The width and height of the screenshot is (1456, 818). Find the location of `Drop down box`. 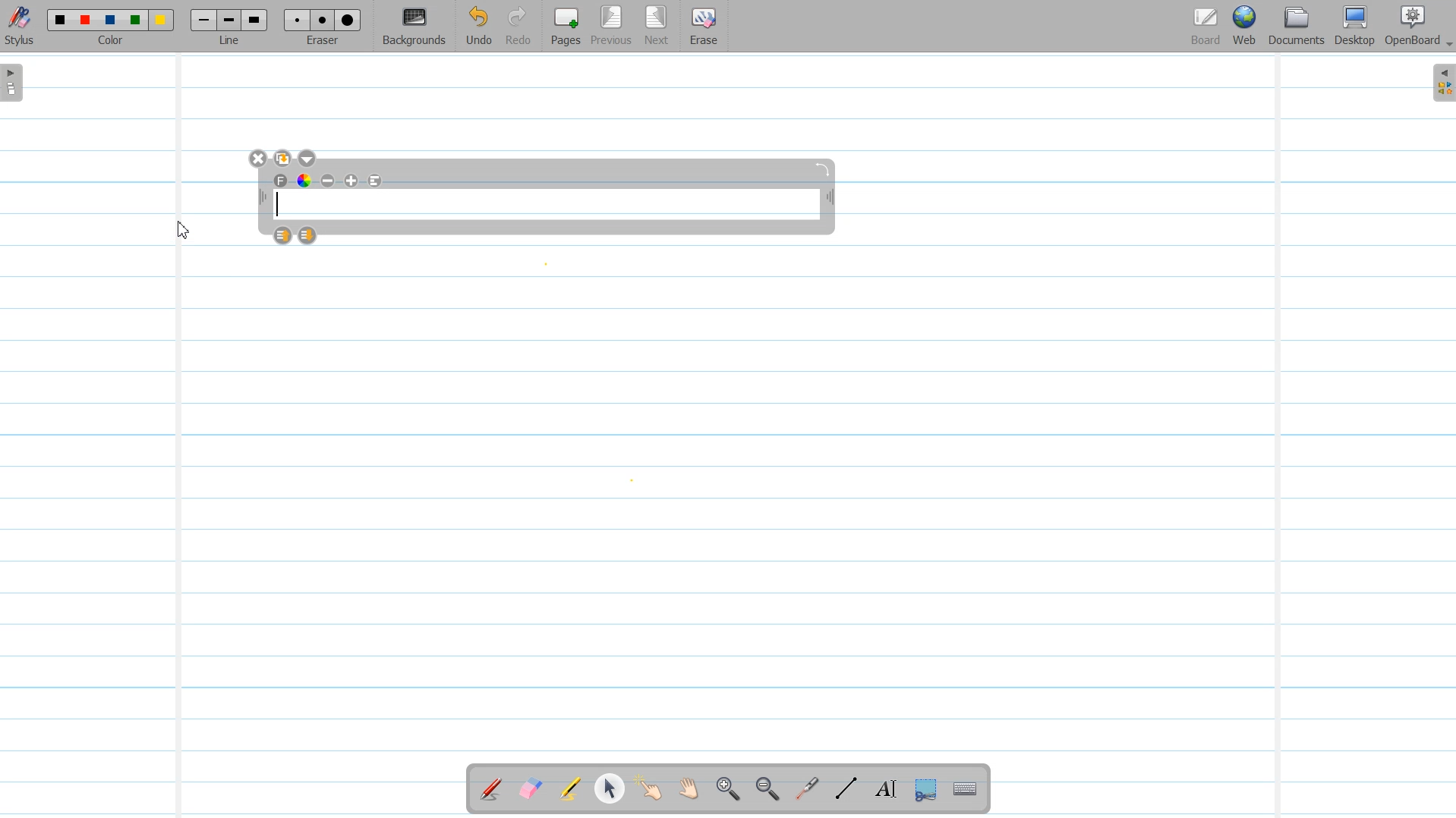

Drop down box is located at coordinates (309, 159).